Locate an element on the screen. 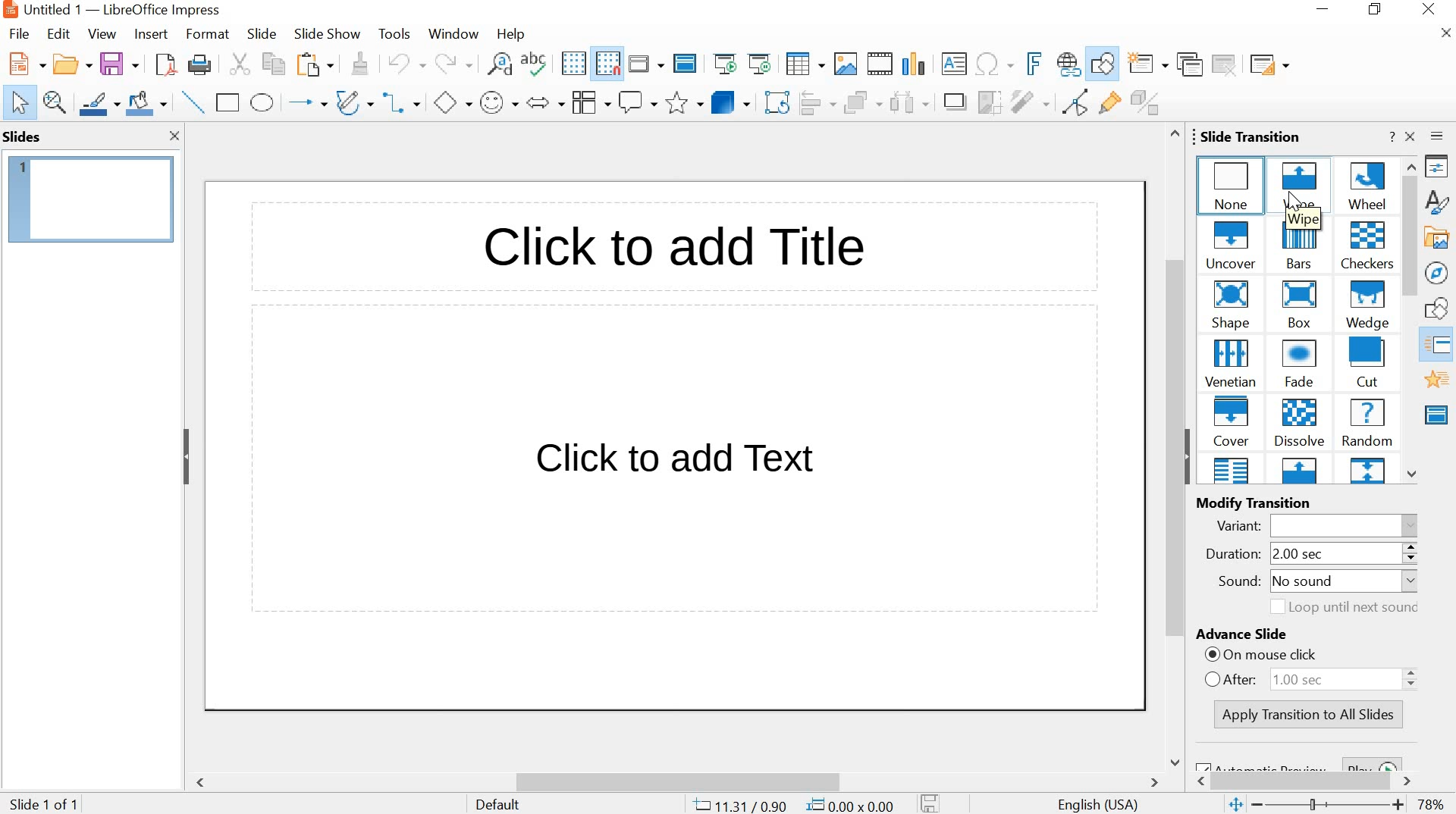  CLOSE DOCUMENT is located at coordinates (1444, 31).